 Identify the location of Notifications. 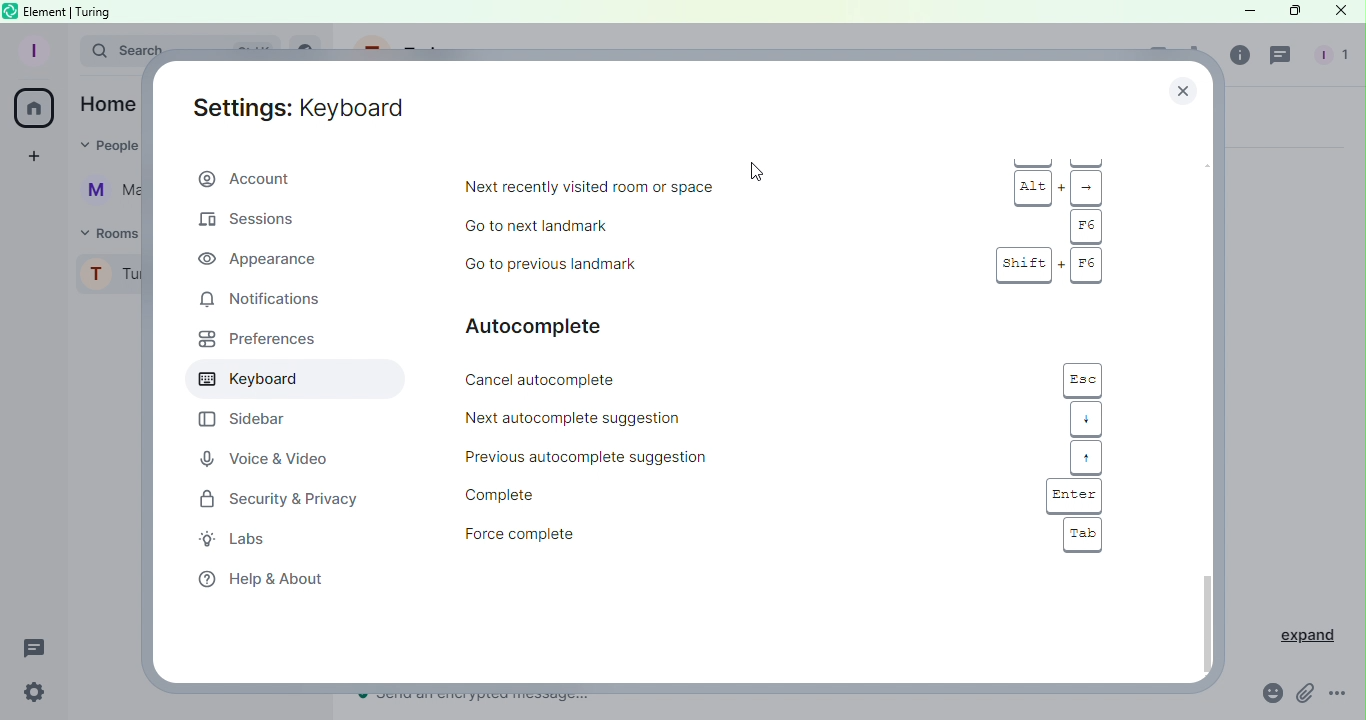
(282, 298).